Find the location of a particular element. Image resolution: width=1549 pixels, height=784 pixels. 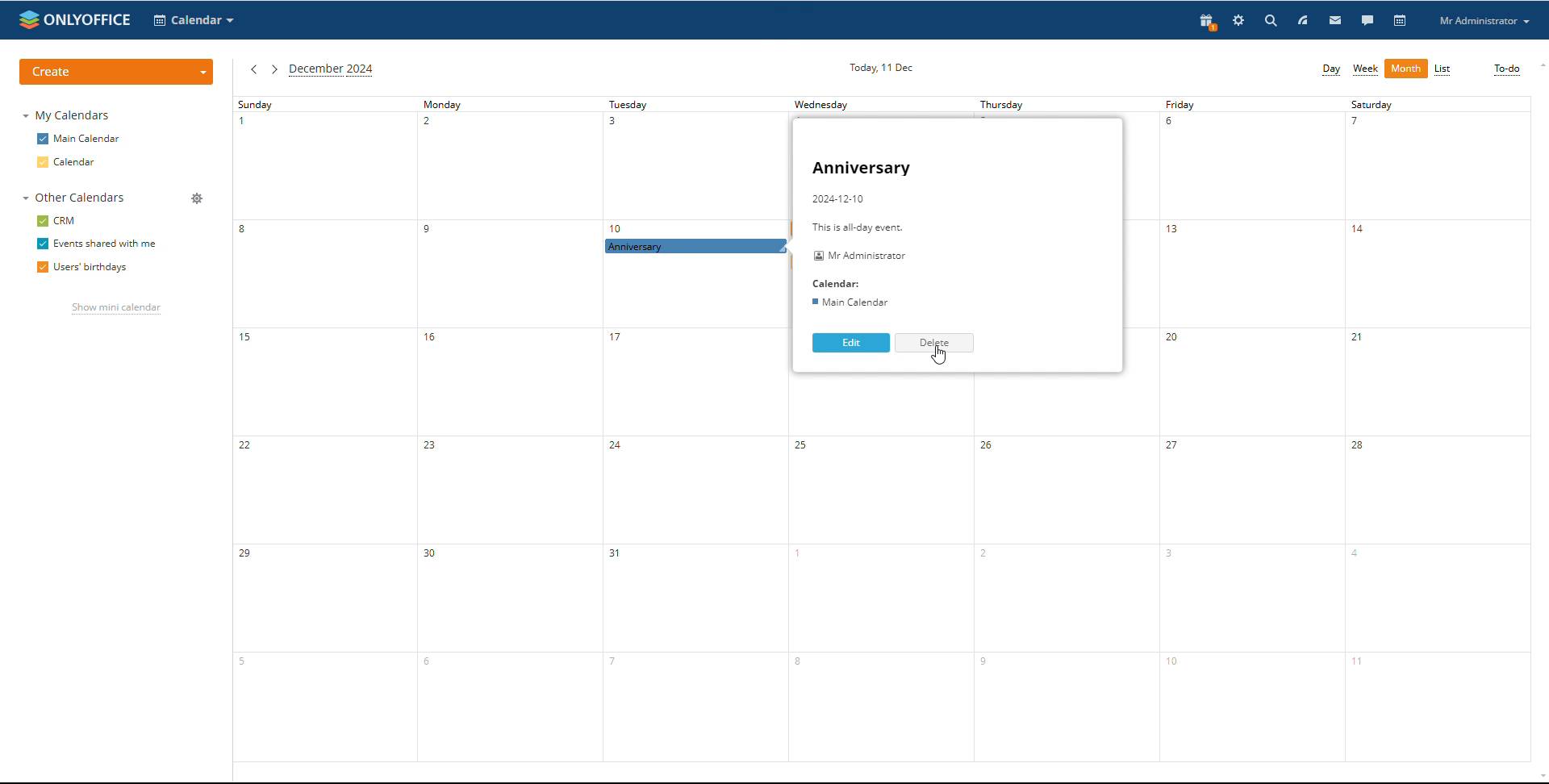

crm is located at coordinates (56, 221).